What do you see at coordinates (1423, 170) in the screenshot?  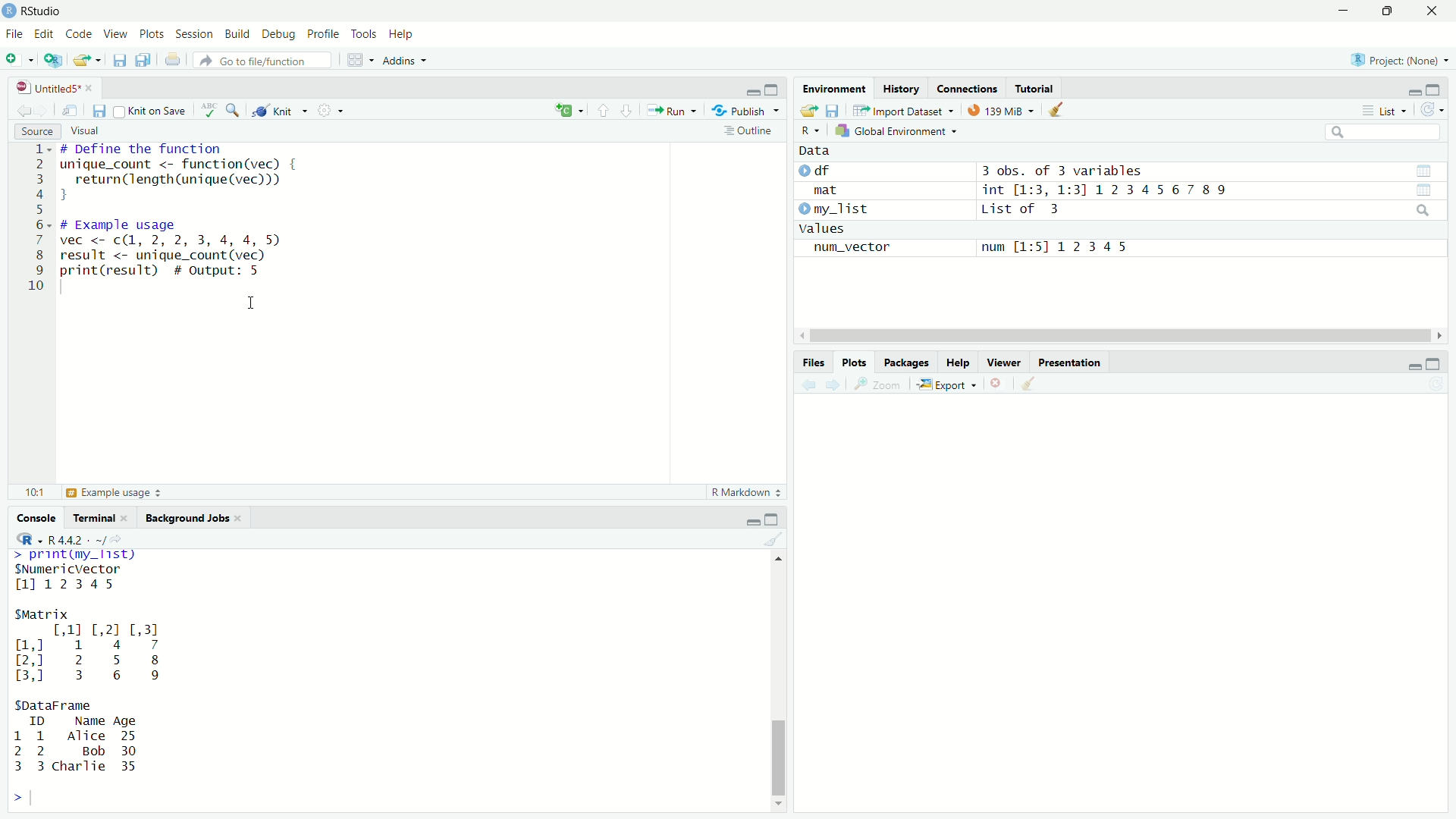 I see `view data` at bounding box center [1423, 170].